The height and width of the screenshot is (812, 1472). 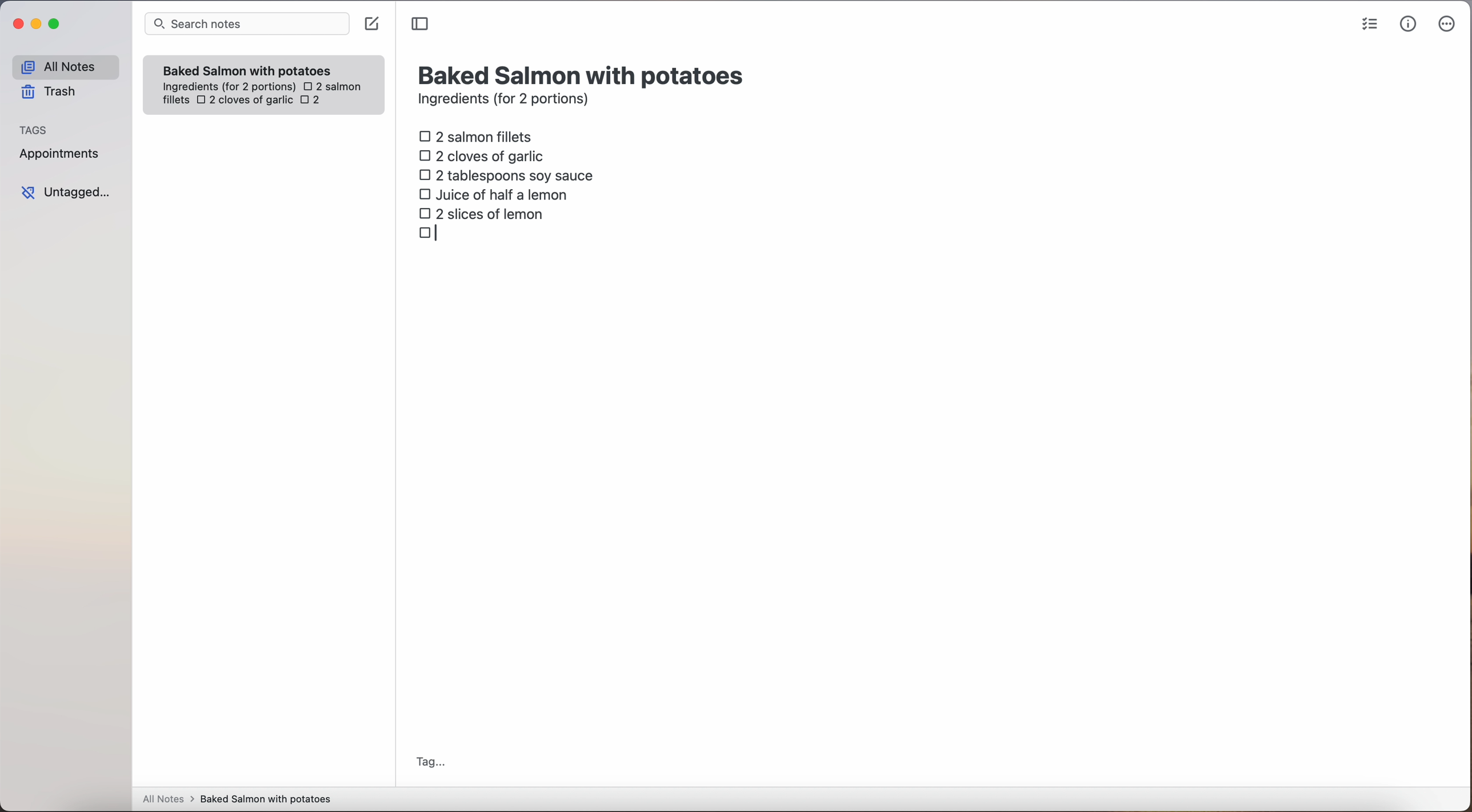 I want to click on title, so click(x=583, y=74).